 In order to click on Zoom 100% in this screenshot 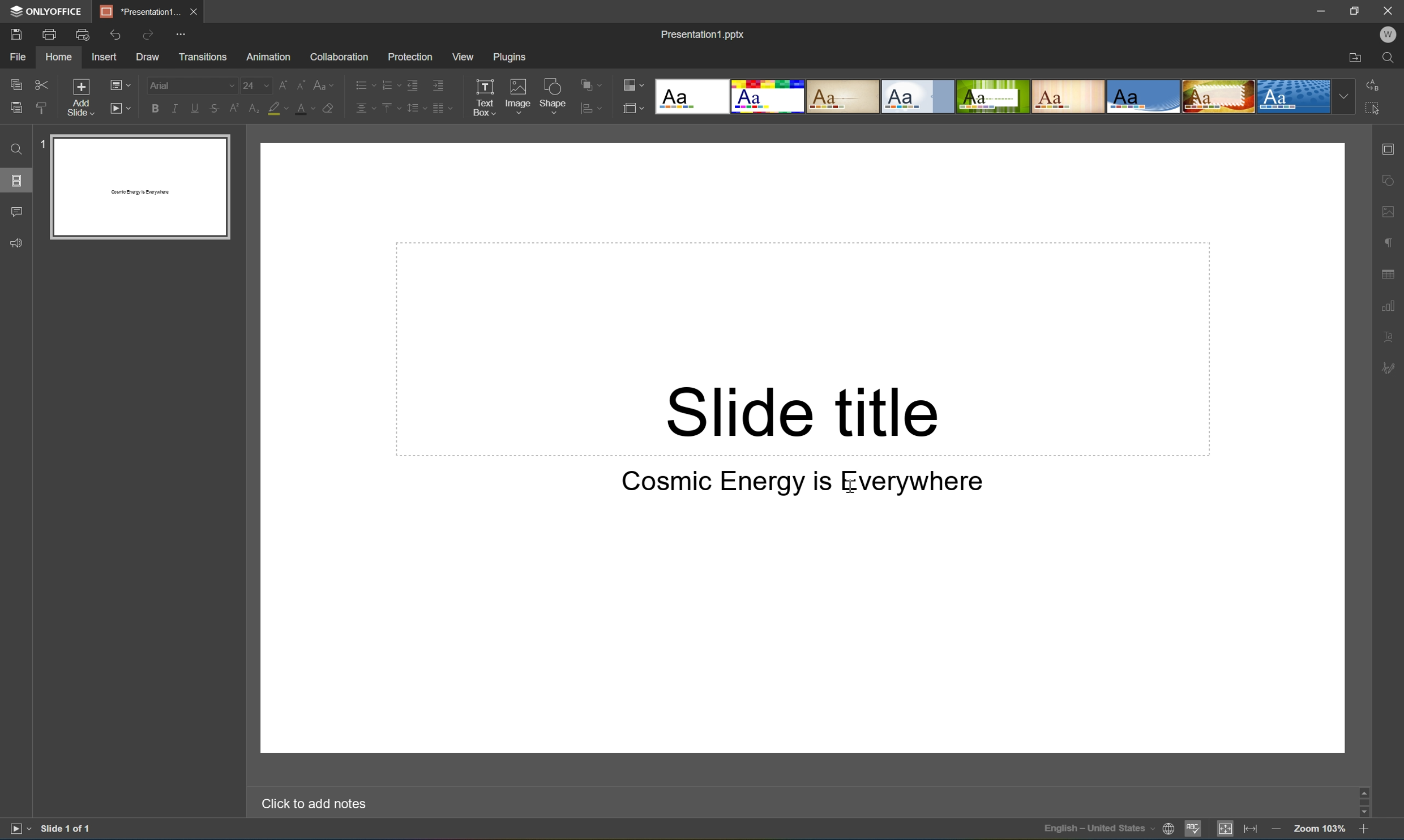, I will do `click(1320, 830)`.